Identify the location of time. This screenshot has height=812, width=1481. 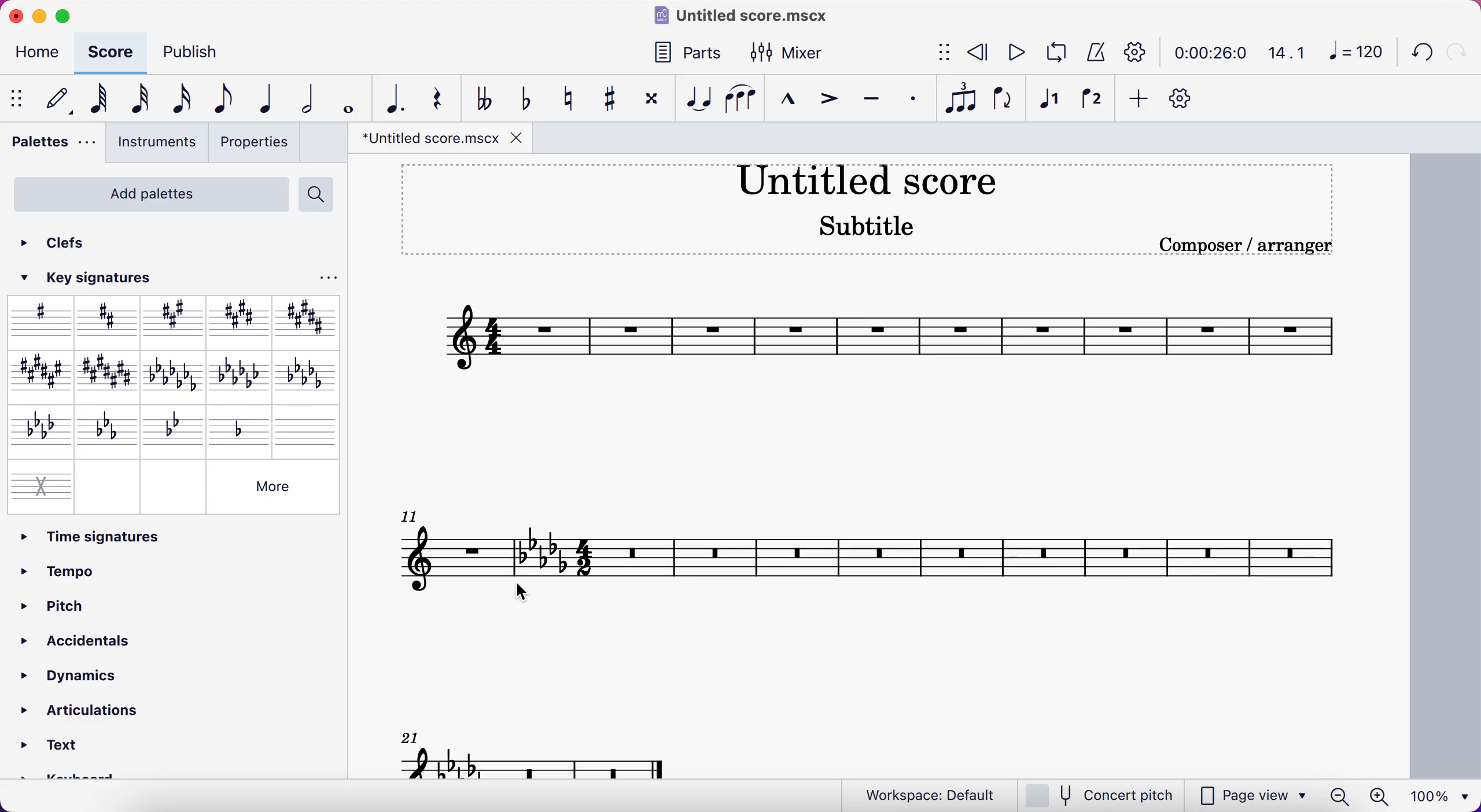
(1206, 53).